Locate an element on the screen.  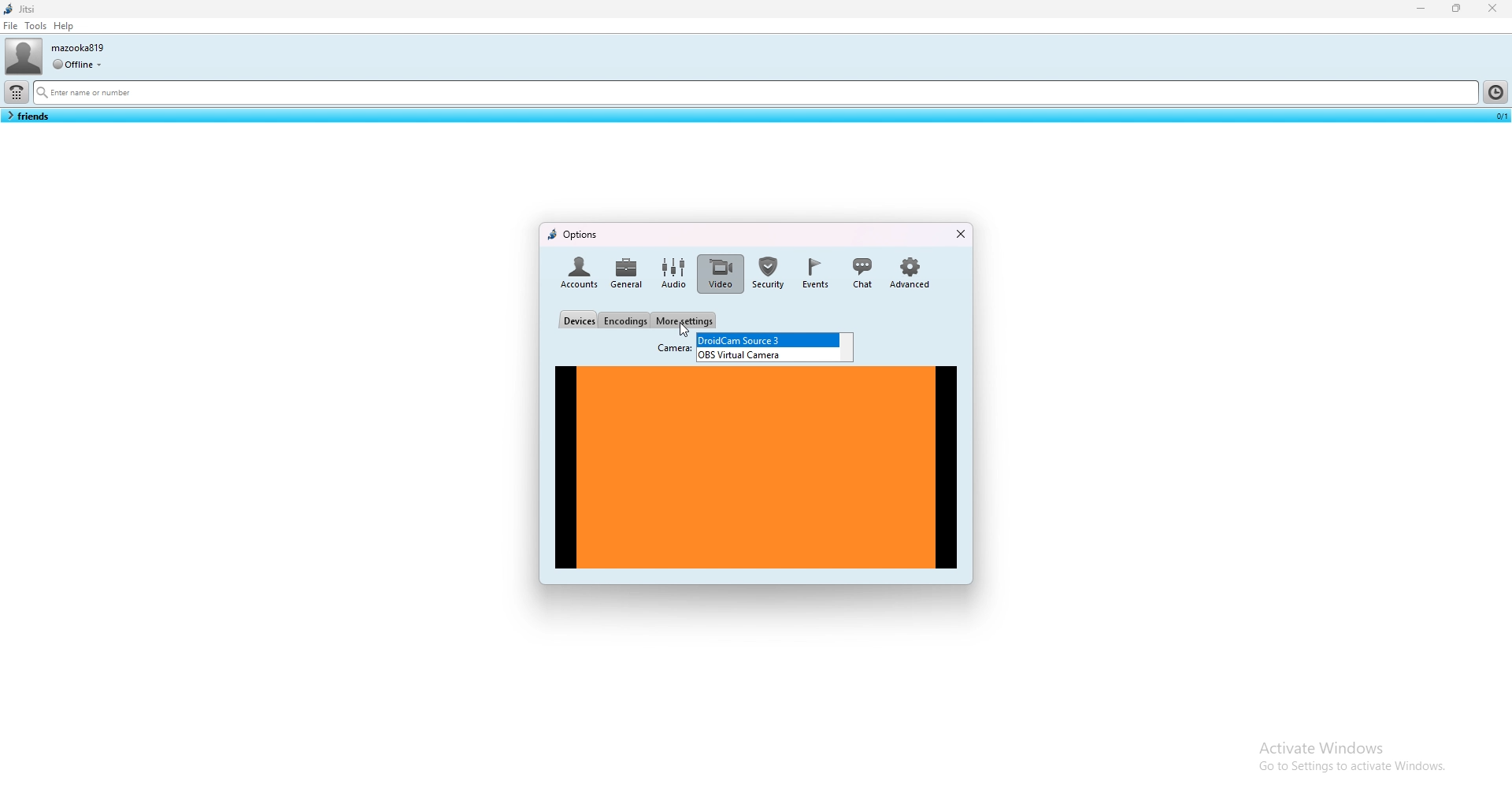
encodings is located at coordinates (625, 320).